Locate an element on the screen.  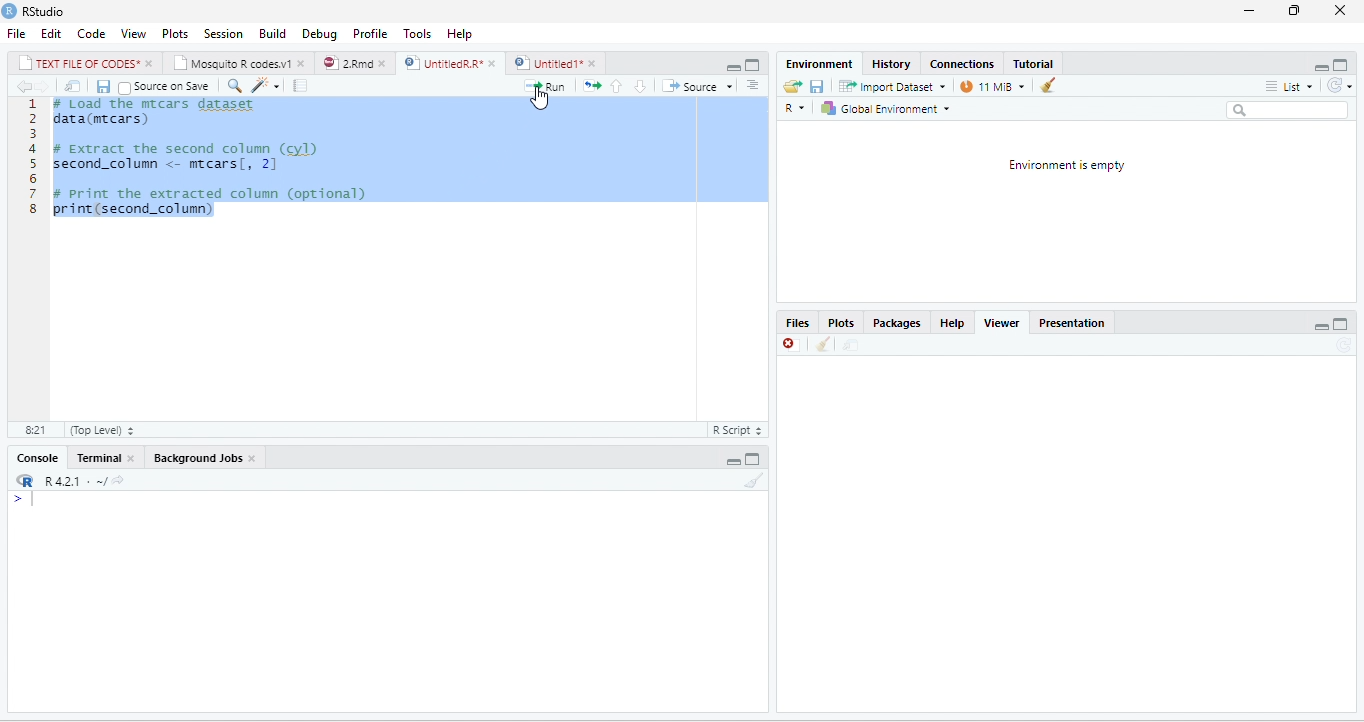
3 is located at coordinates (33, 134).